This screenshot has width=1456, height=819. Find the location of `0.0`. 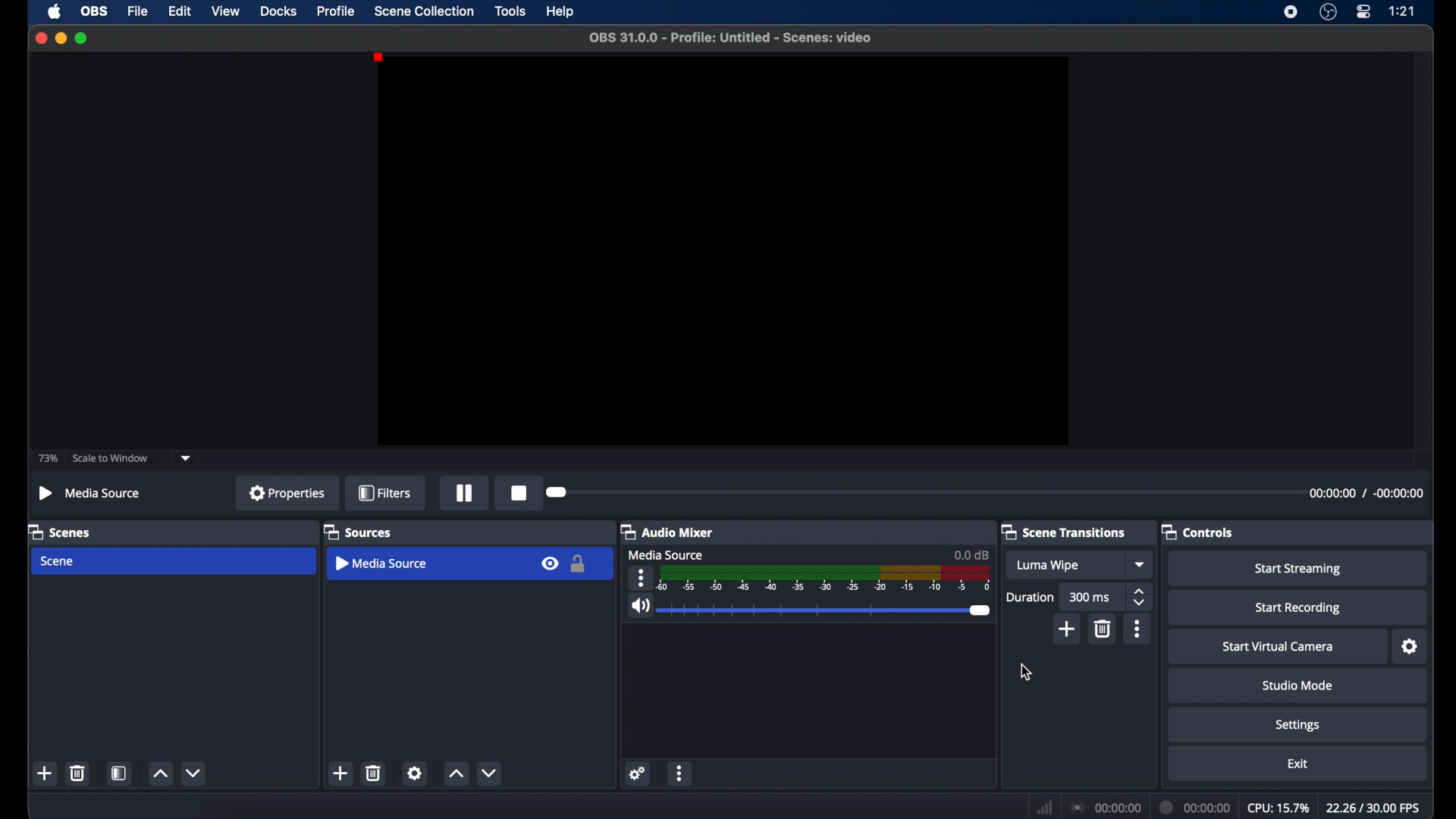

0.0 is located at coordinates (970, 555).